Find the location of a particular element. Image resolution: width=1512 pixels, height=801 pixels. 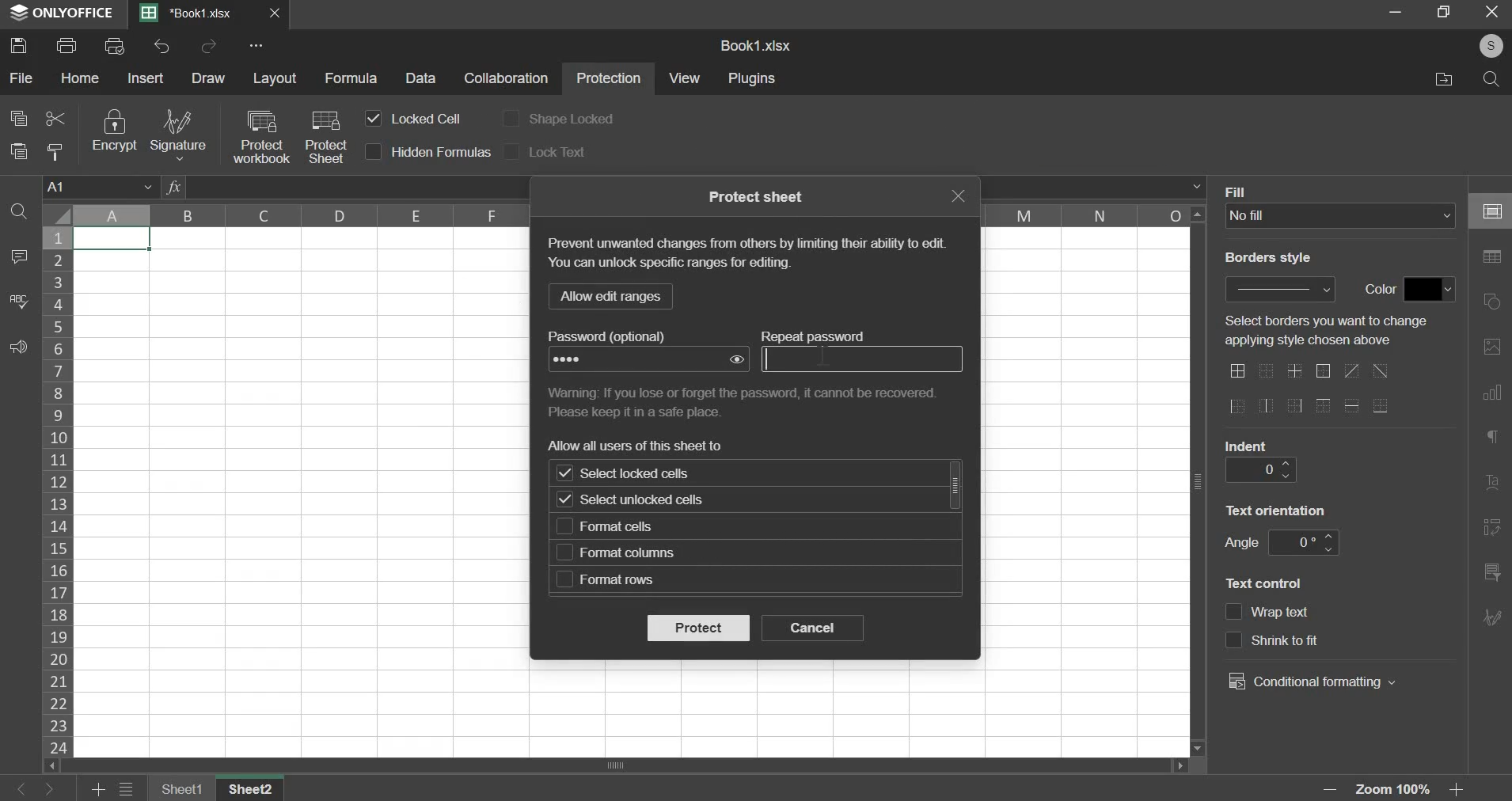

checkbox is located at coordinates (514, 150).